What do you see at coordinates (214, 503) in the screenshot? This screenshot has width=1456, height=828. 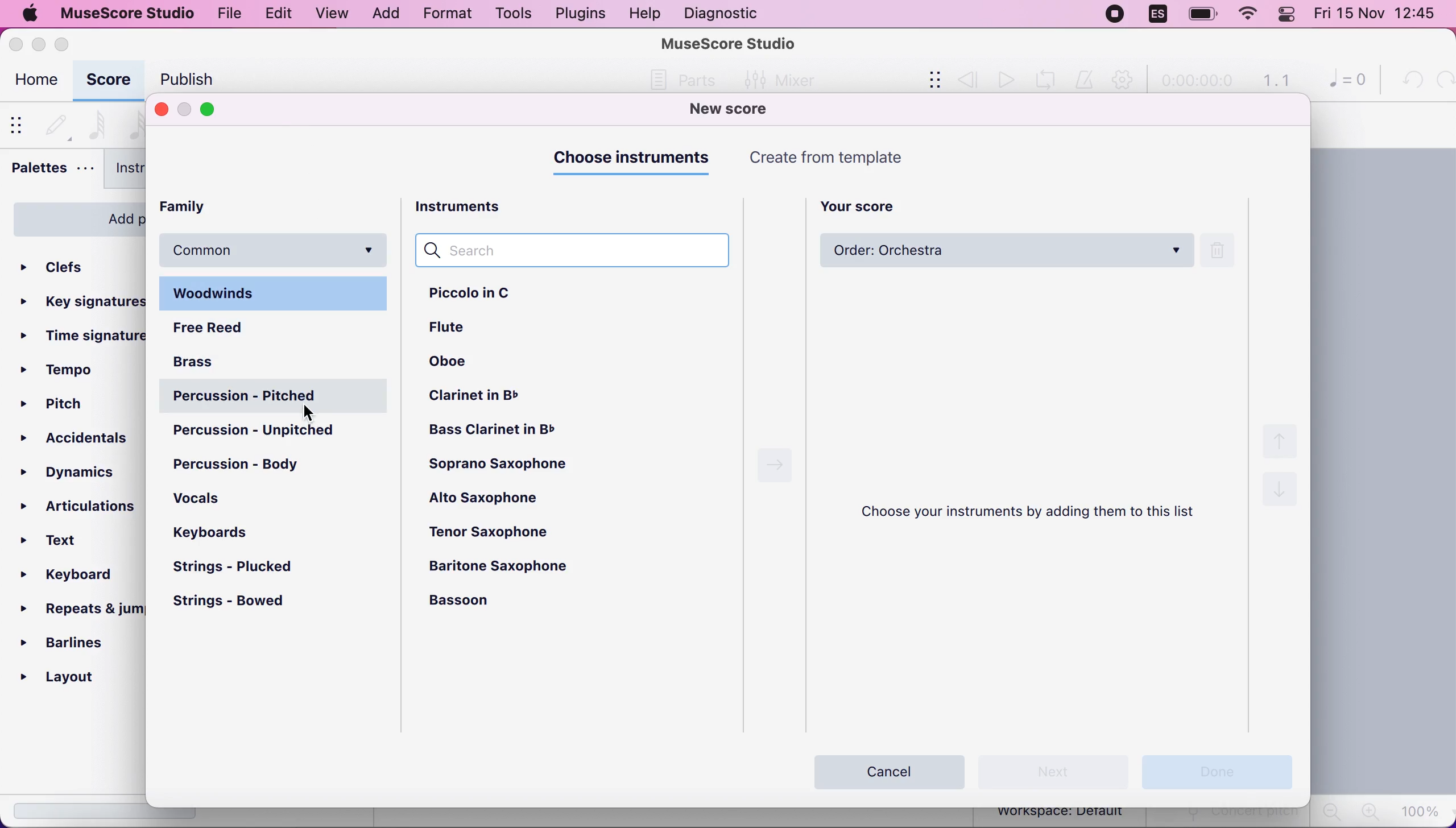 I see `vocals` at bounding box center [214, 503].